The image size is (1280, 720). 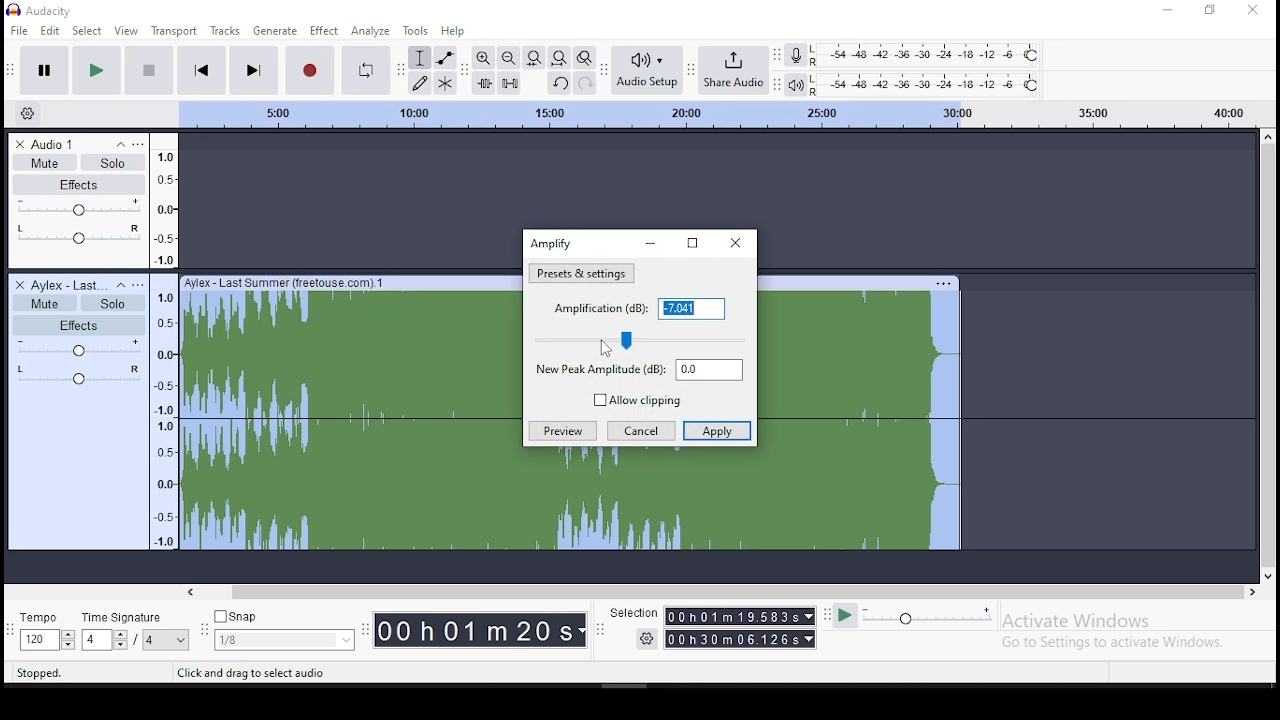 What do you see at coordinates (584, 57) in the screenshot?
I see `zoom toggle` at bounding box center [584, 57].